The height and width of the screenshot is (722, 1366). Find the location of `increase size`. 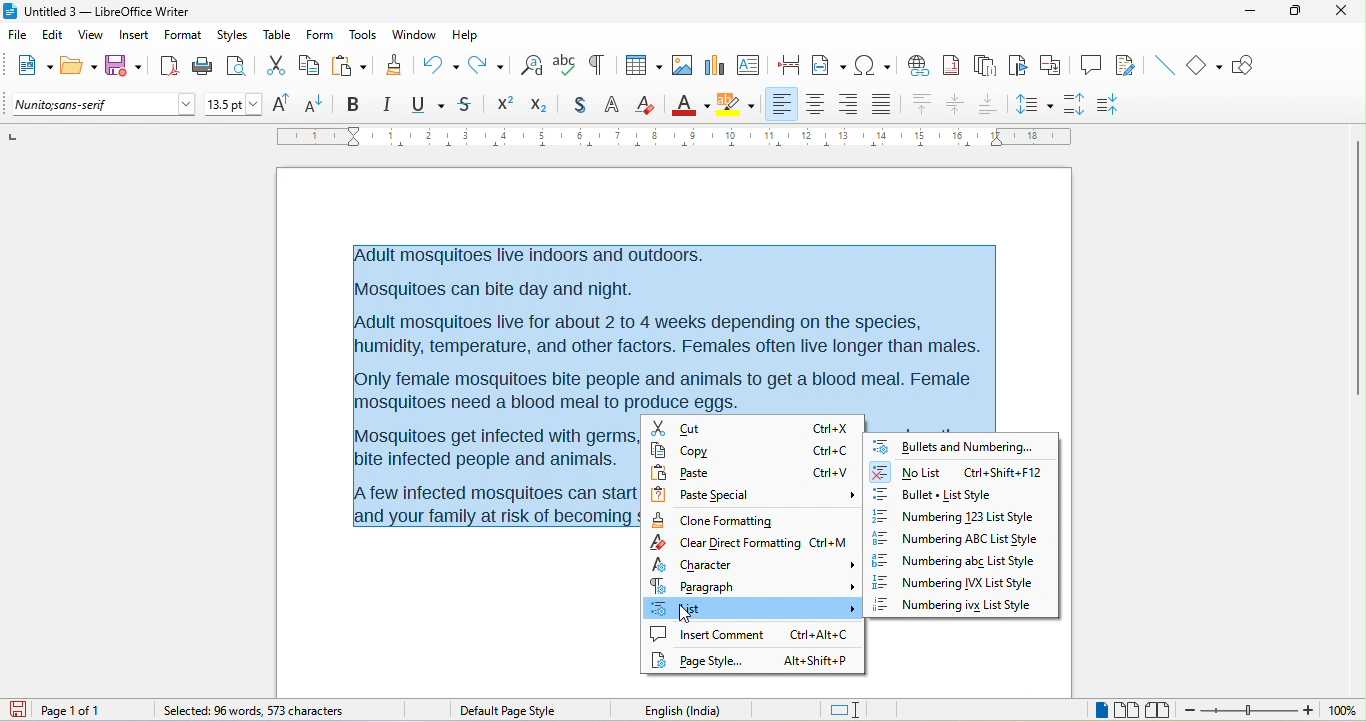

increase size is located at coordinates (285, 104).